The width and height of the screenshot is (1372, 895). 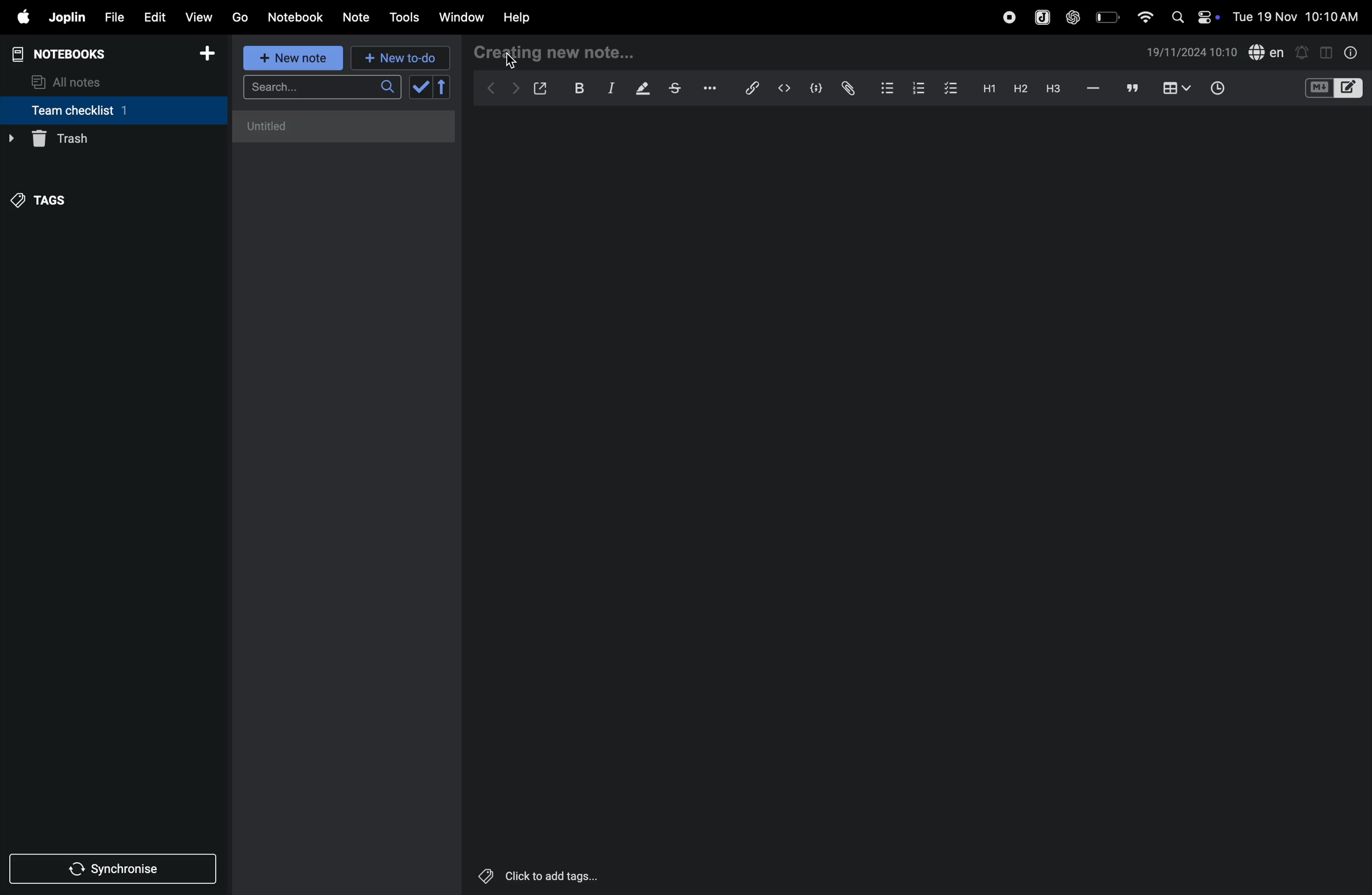 What do you see at coordinates (47, 197) in the screenshot?
I see `tags` at bounding box center [47, 197].